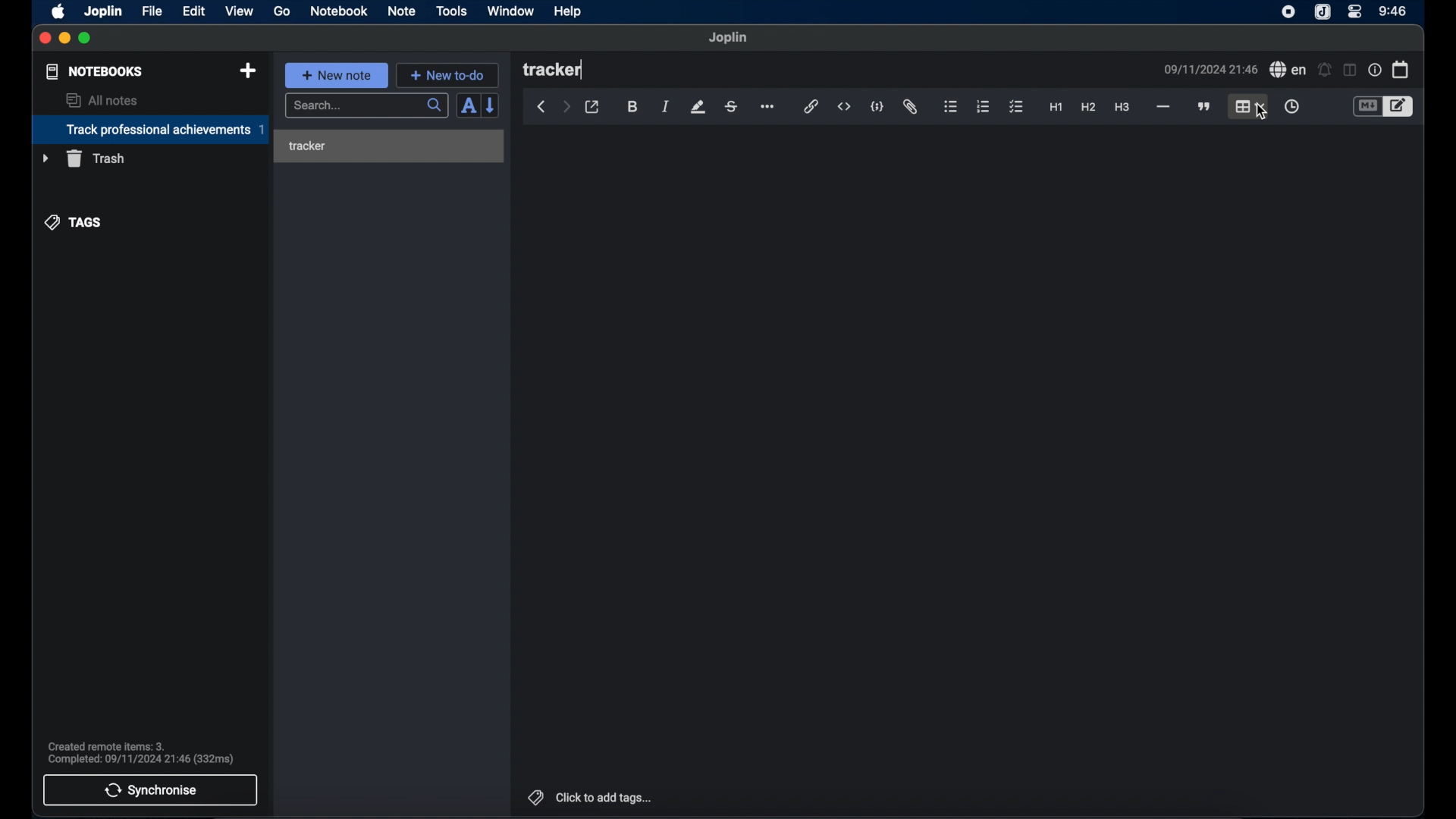 Image resolution: width=1456 pixels, height=819 pixels. What do you see at coordinates (541, 107) in the screenshot?
I see `back` at bounding box center [541, 107].